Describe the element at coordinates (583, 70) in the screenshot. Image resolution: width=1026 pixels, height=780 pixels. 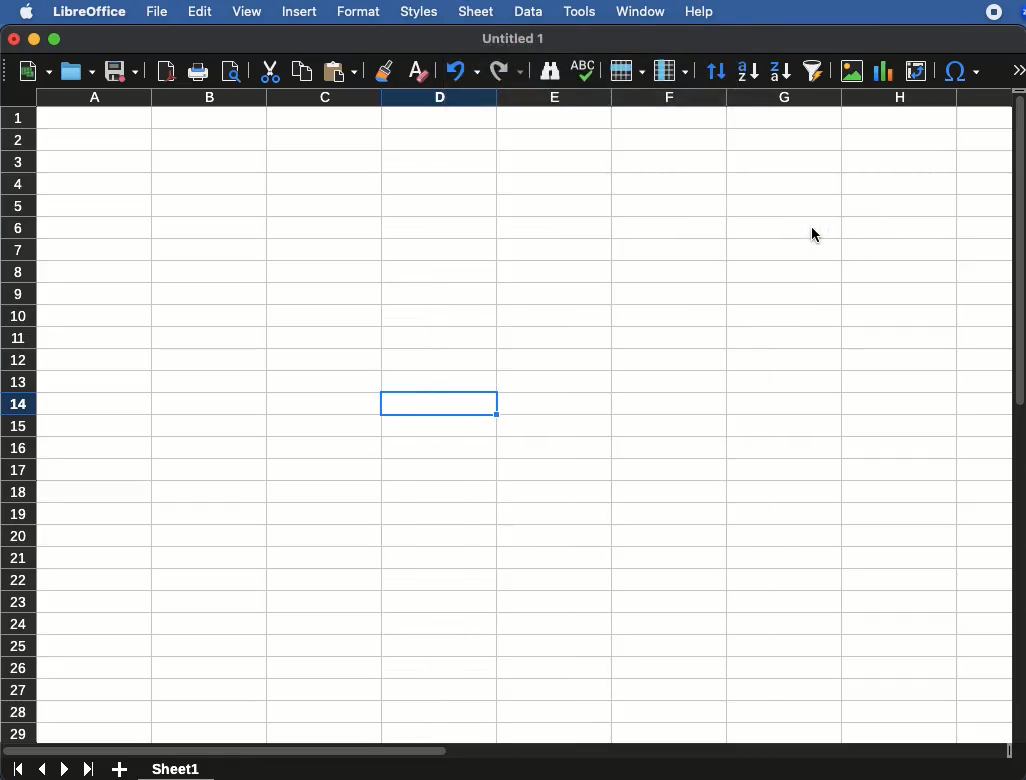
I see `spell check` at that location.